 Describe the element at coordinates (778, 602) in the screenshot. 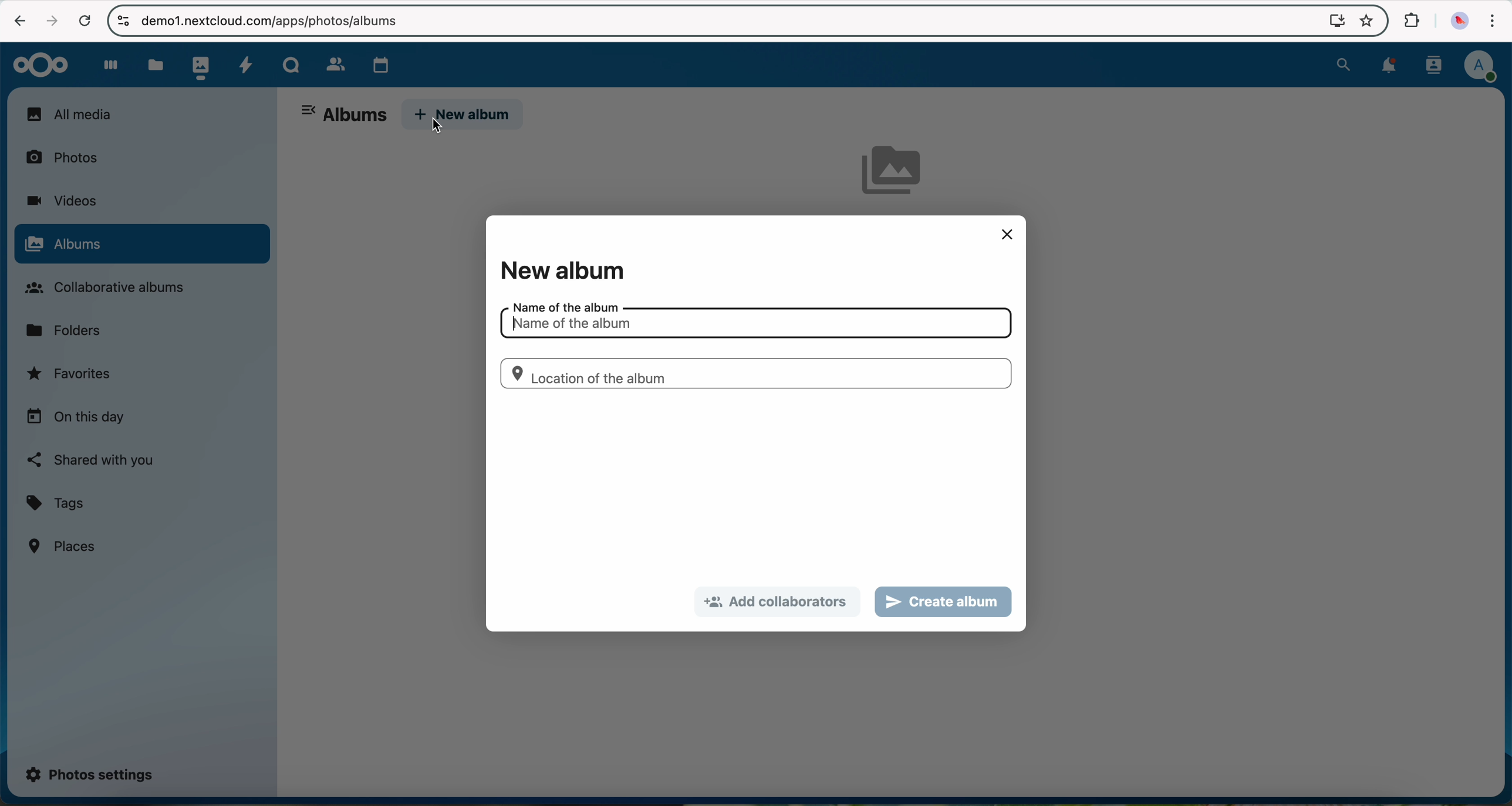

I see `disable add collaborators button` at that location.